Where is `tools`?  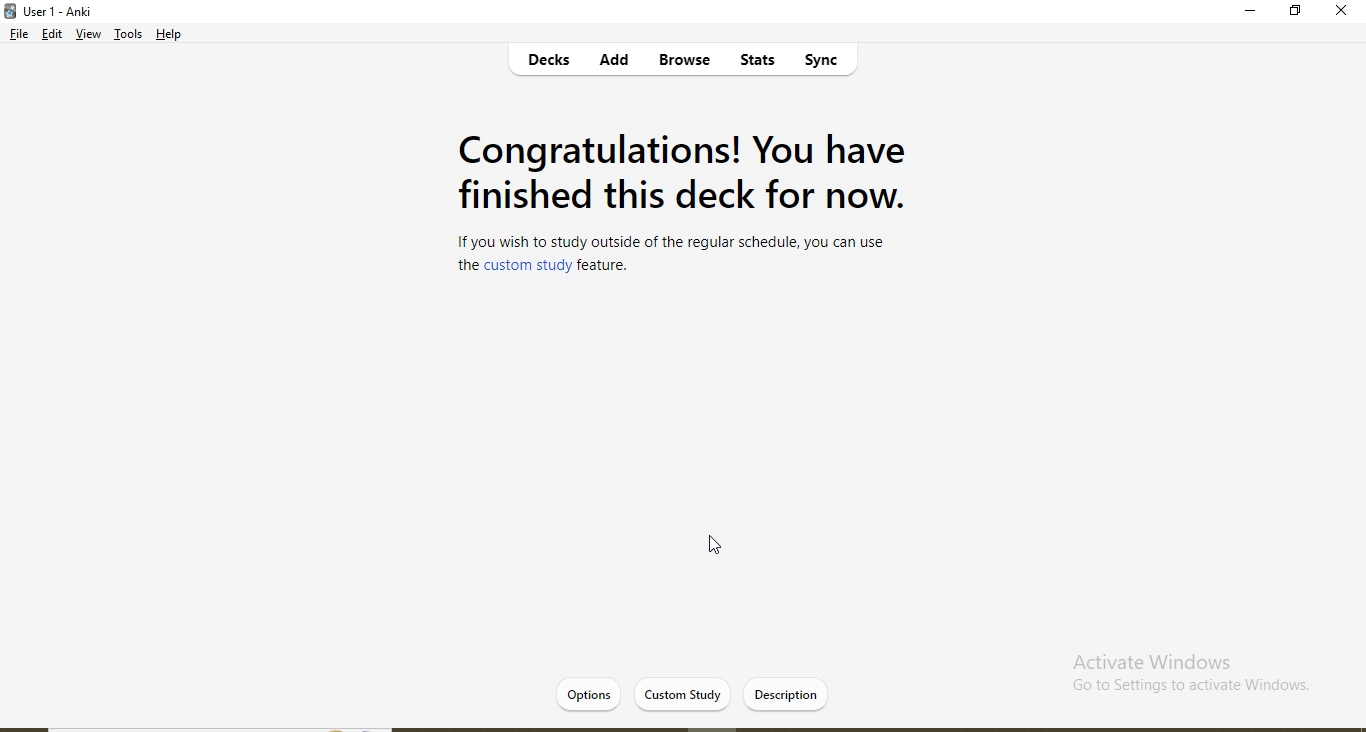
tools is located at coordinates (128, 37).